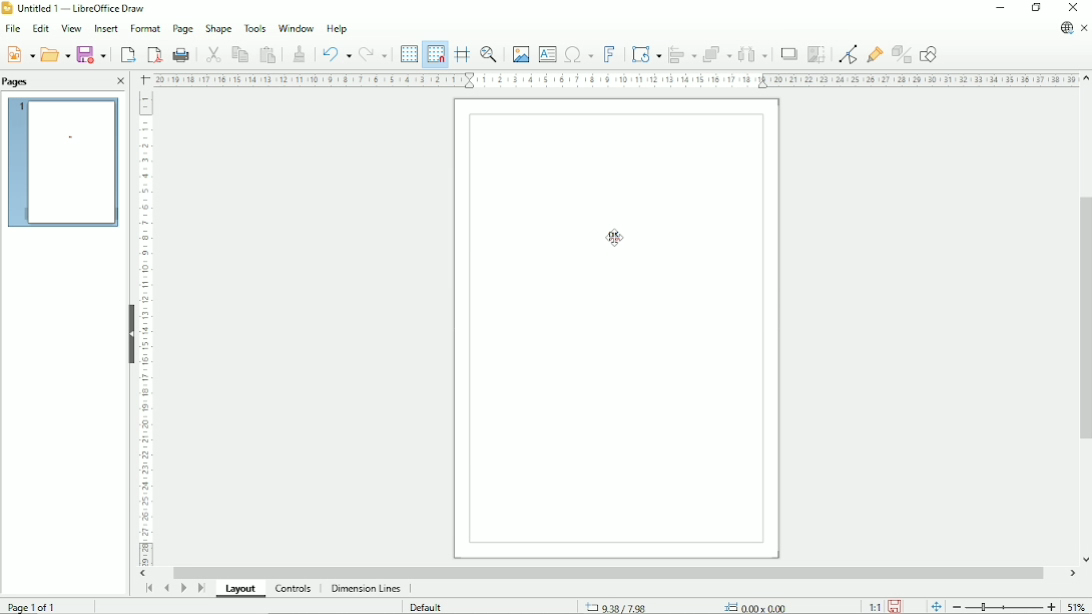 Image resolution: width=1092 pixels, height=614 pixels. Describe the element at coordinates (336, 28) in the screenshot. I see `Help` at that location.